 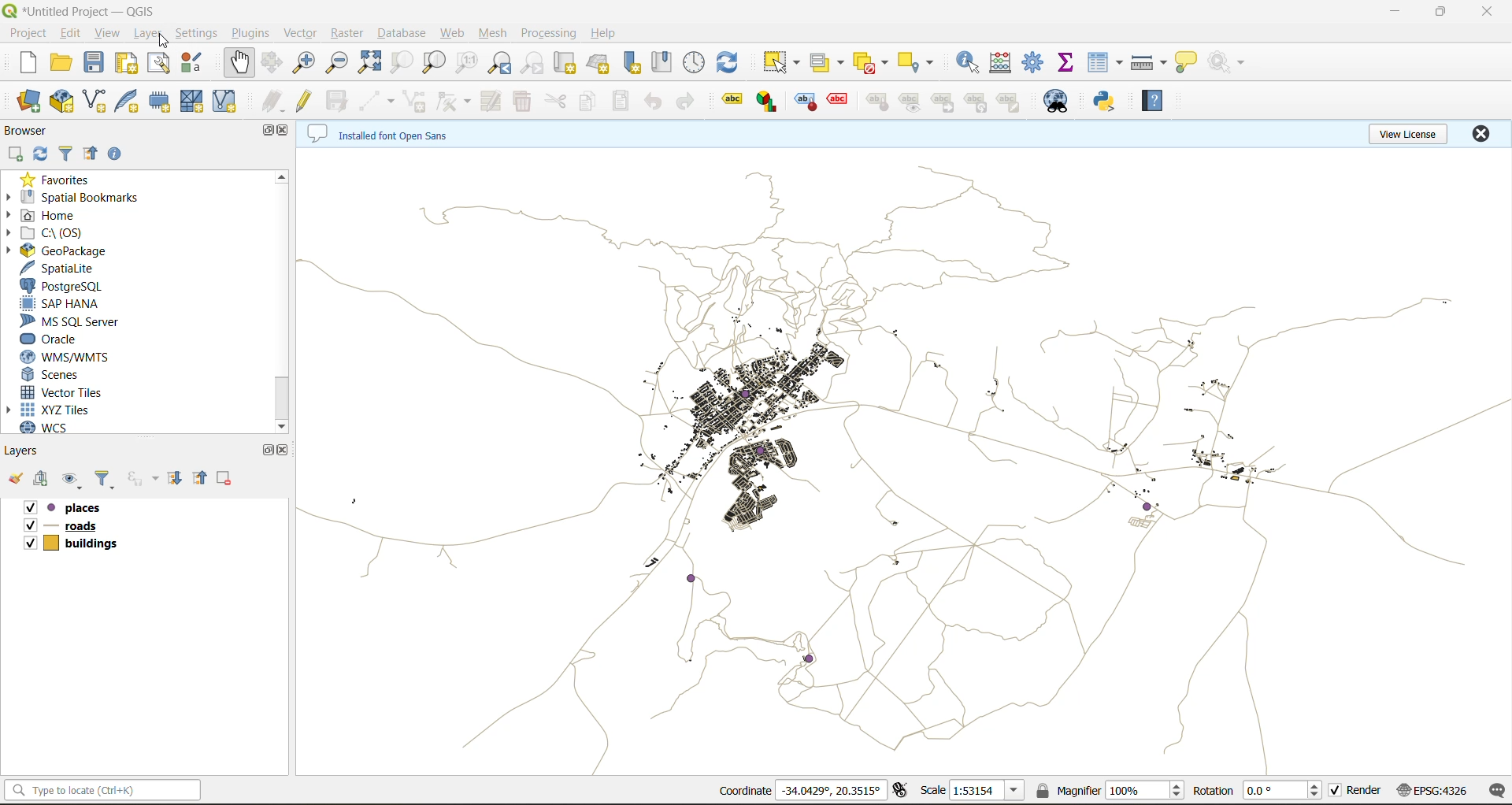 I want to click on favorites, so click(x=65, y=180).